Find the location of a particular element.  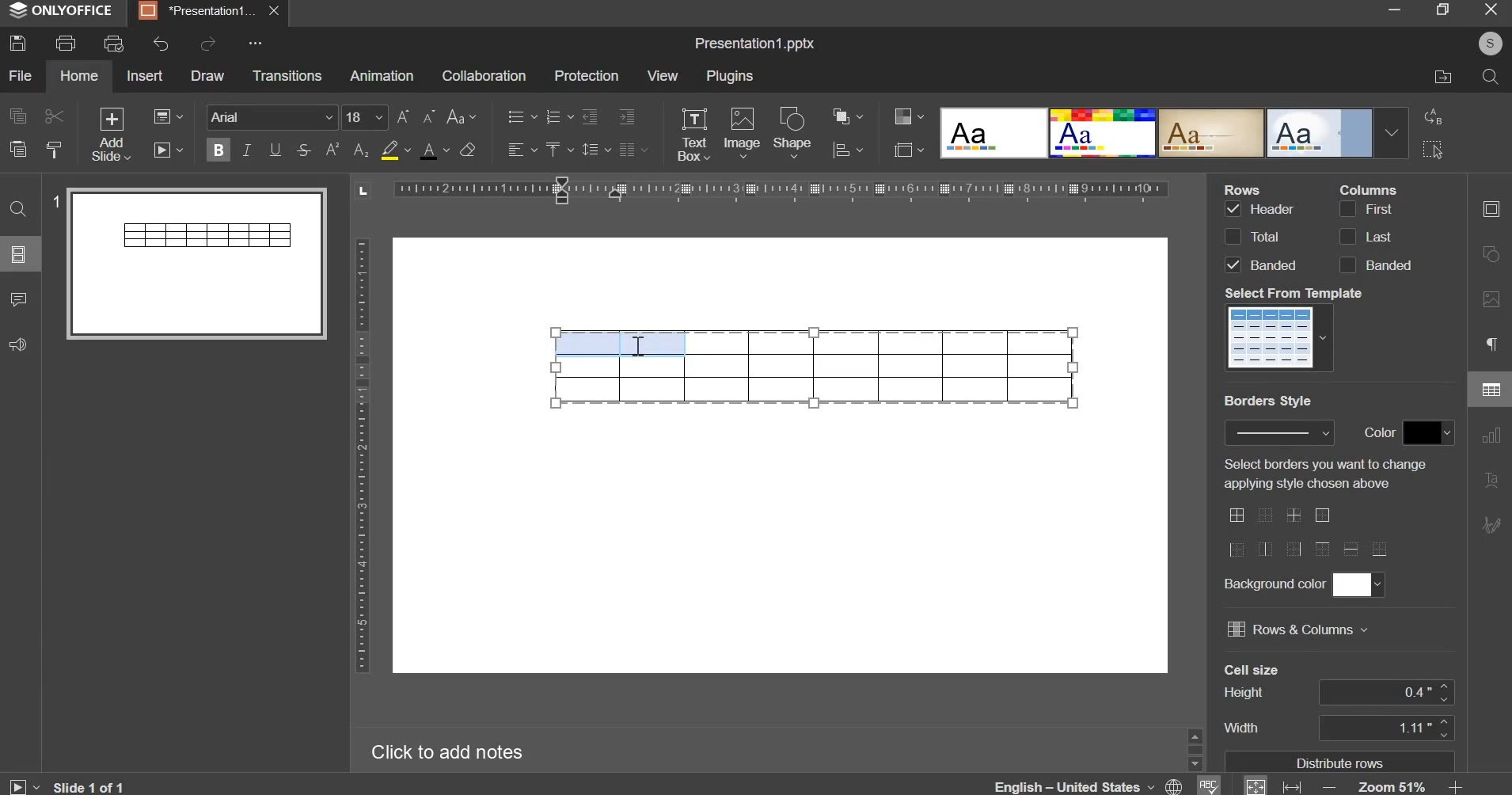

numbering is located at coordinates (557, 117).